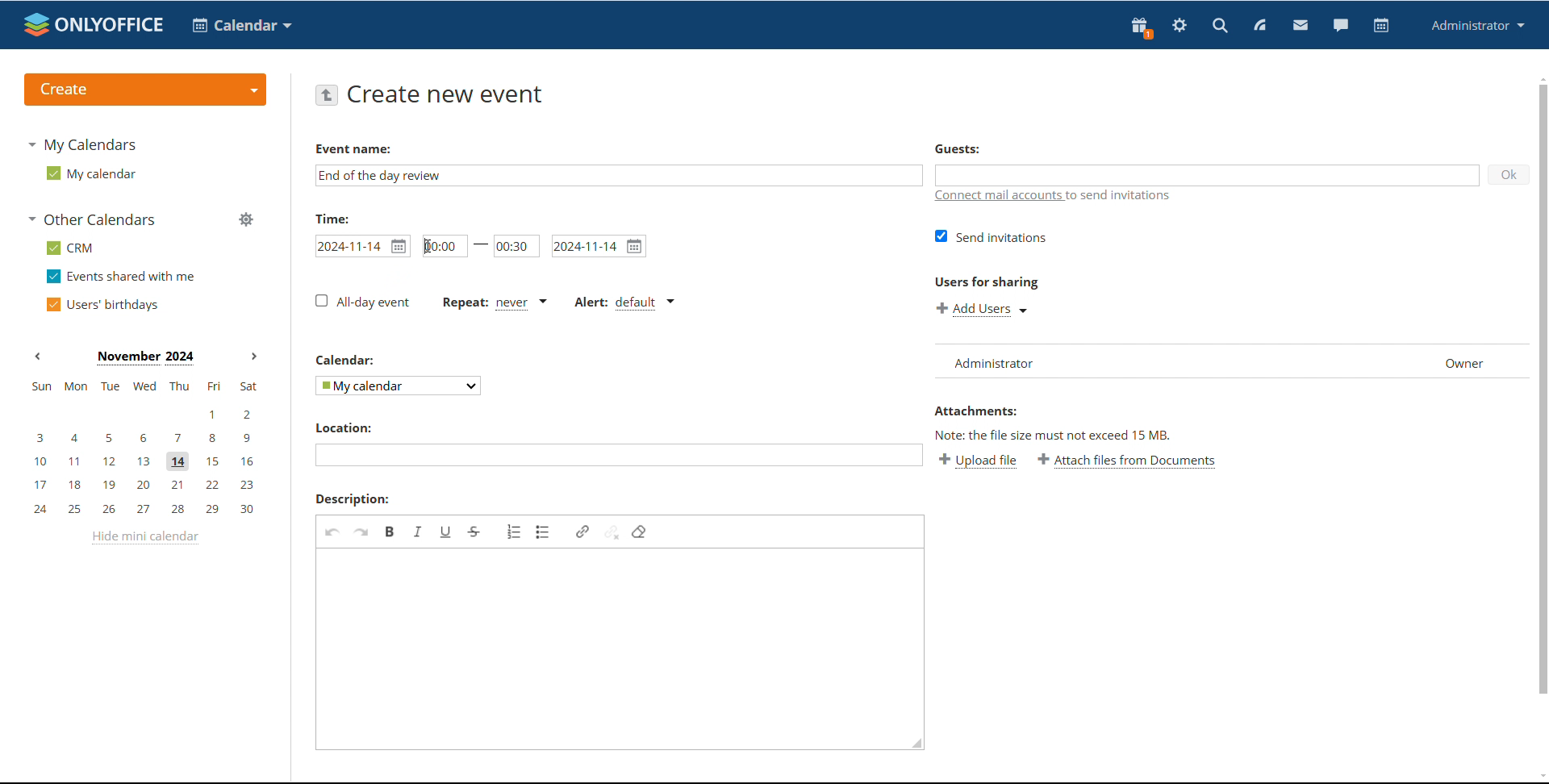  Describe the element at coordinates (1539, 77) in the screenshot. I see `scroll up` at that location.